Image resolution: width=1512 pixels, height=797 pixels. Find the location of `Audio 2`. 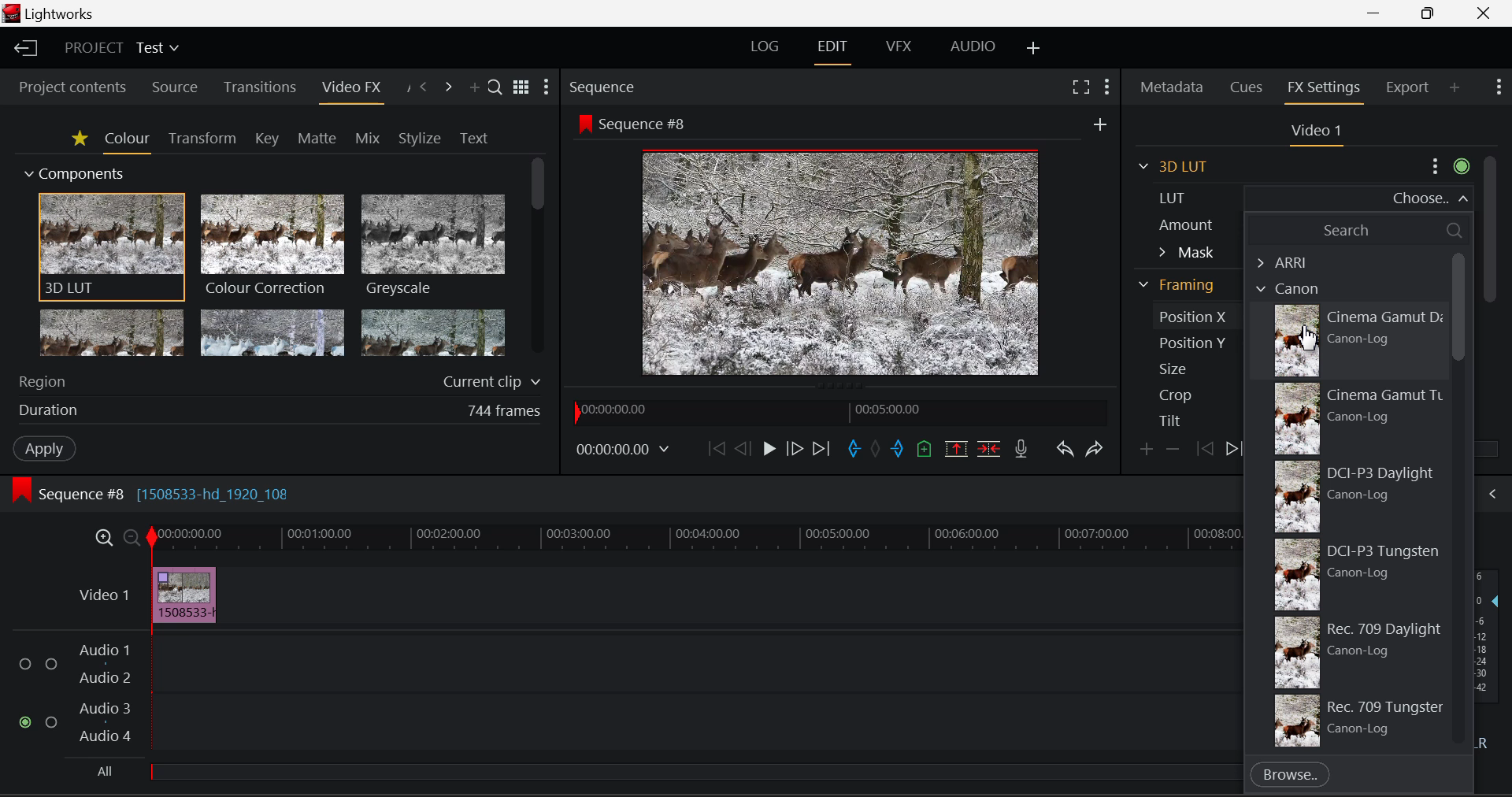

Audio 2 is located at coordinates (107, 679).